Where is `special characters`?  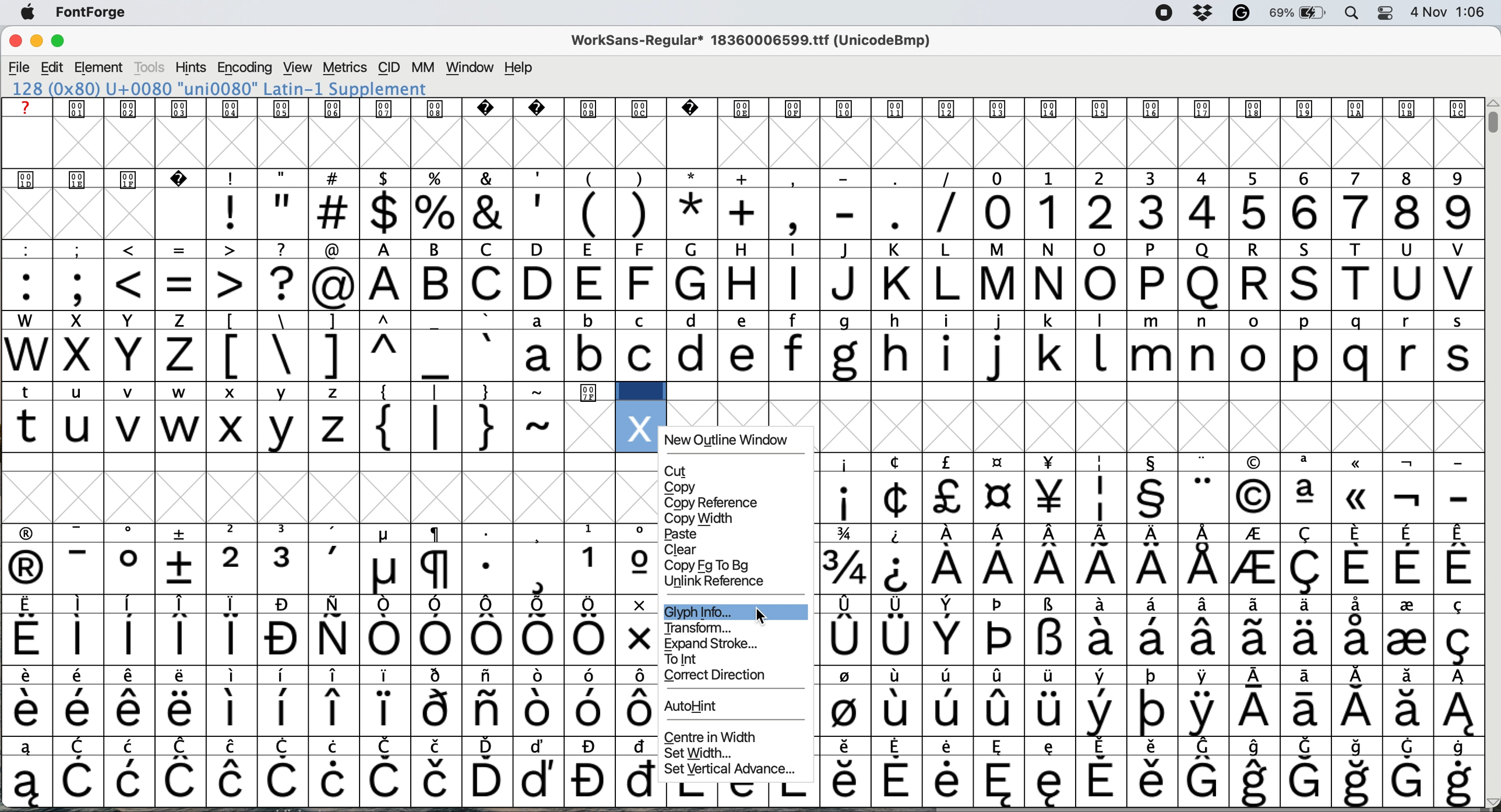 special characters is located at coordinates (362, 392).